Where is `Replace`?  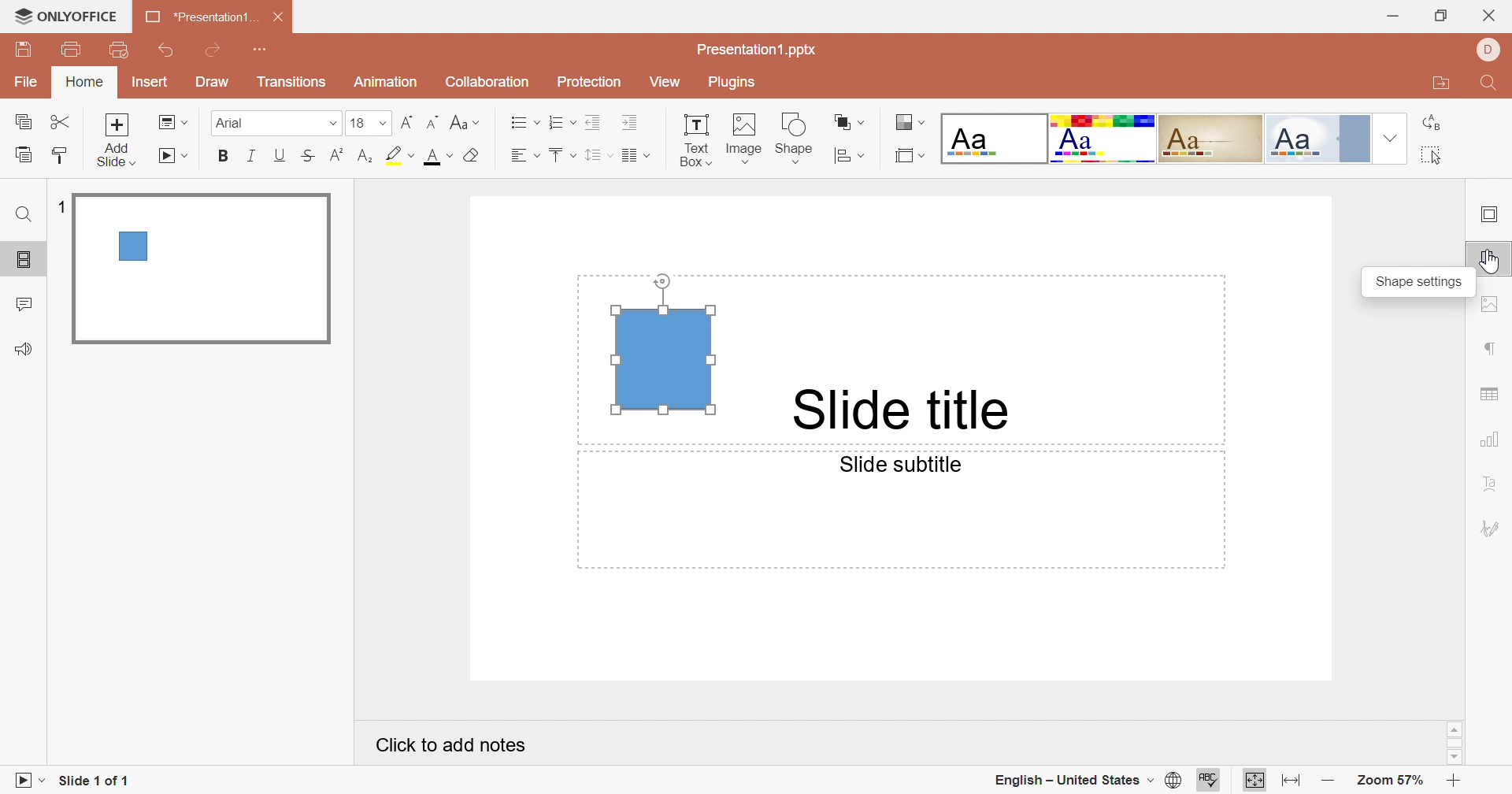 Replace is located at coordinates (1430, 118).